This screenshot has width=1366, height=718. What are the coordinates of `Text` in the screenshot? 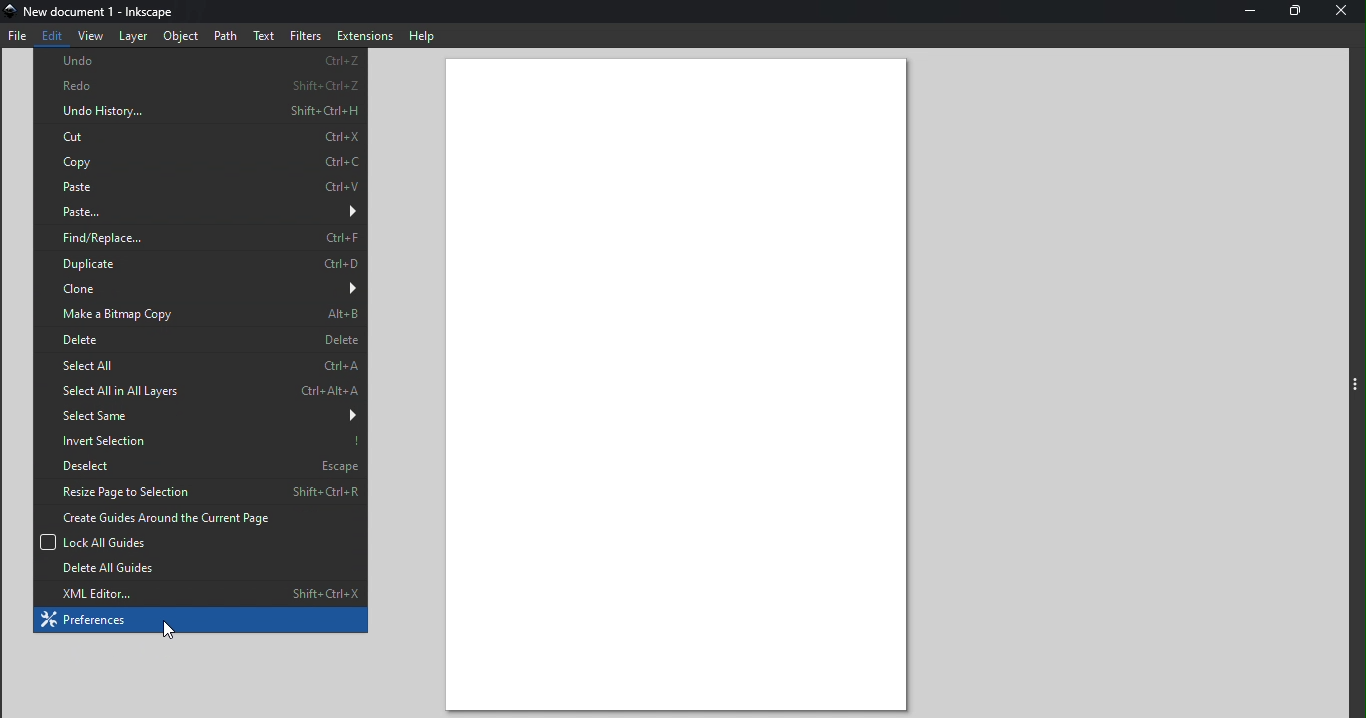 It's located at (265, 33).